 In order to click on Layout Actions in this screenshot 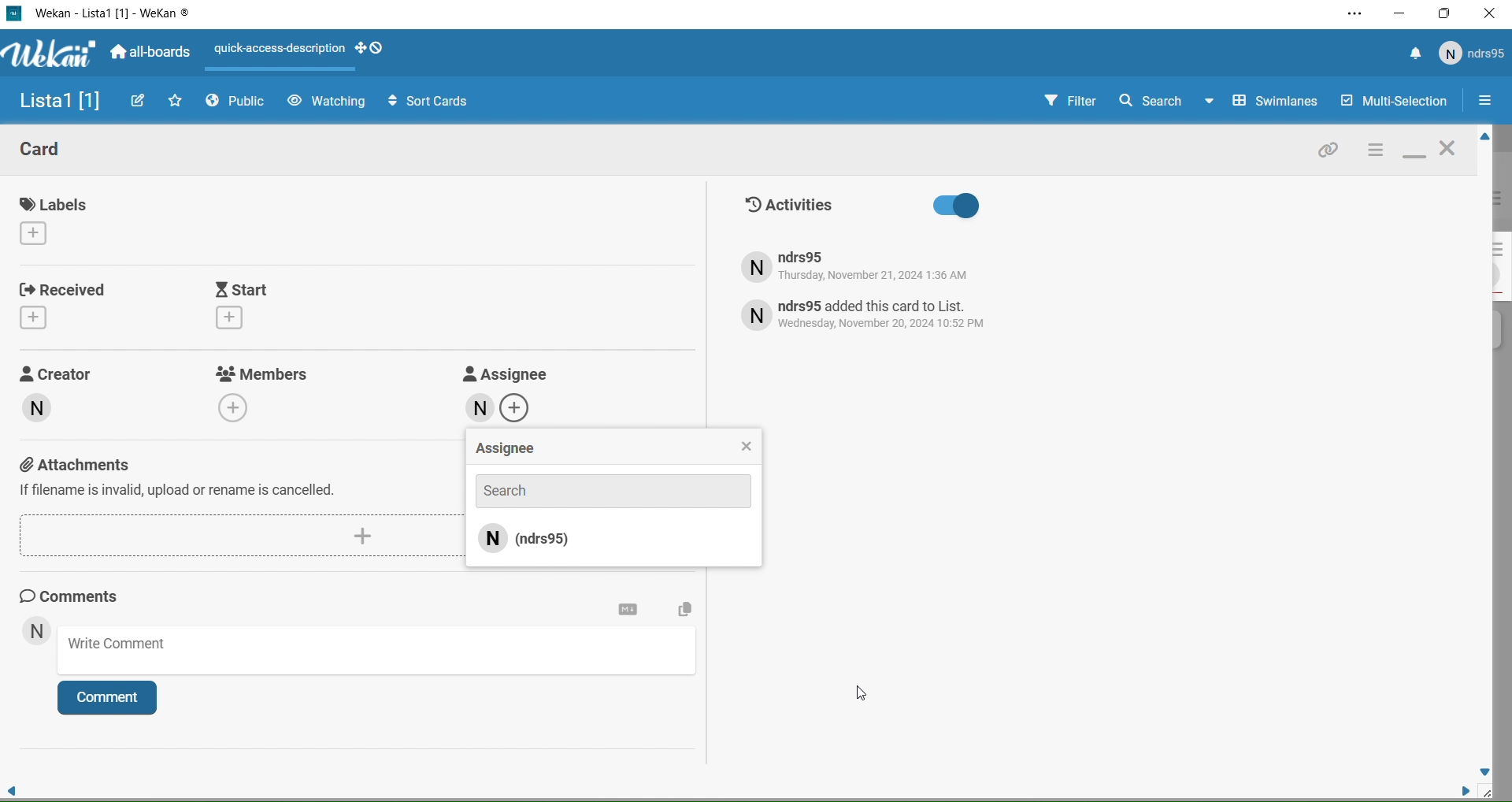, I will do `click(277, 50)`.